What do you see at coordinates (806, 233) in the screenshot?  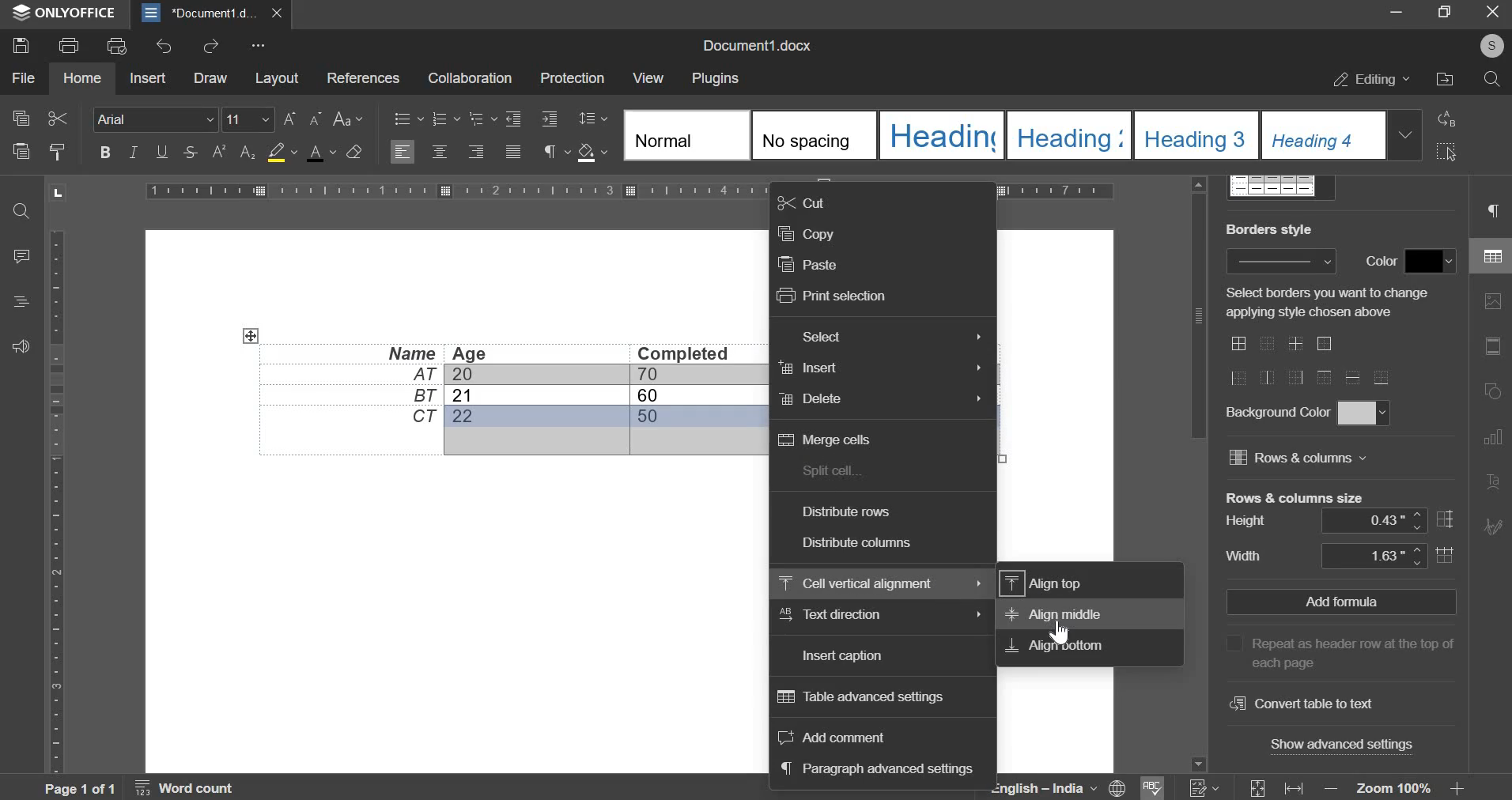 I see `copy` at bounding box center [806, 233].